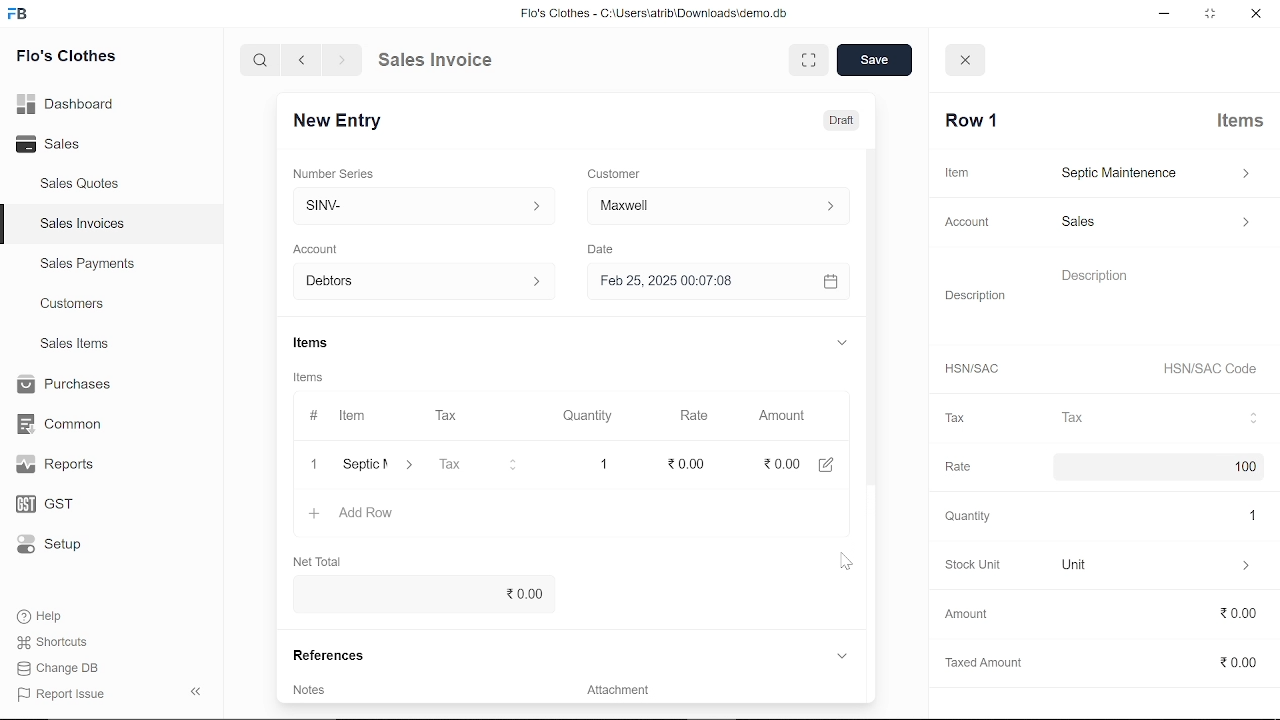  I want to click on Row 1, so click(973, 121).